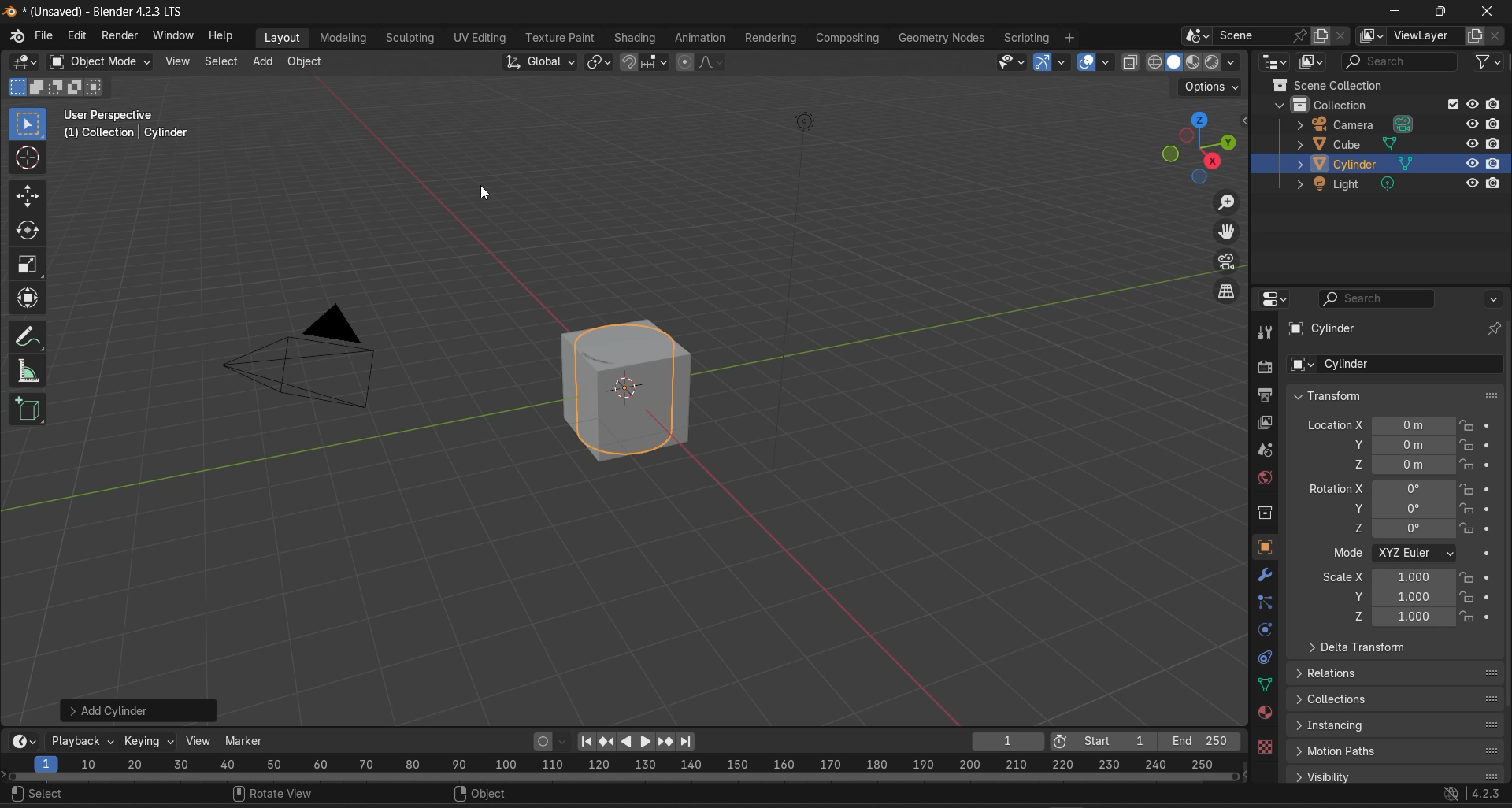 The width and height of the screenshot is (1512, 808). What do you see at coordinates (488, 795) in the screenshot?
I see `object` at bounding box center [488, 795].